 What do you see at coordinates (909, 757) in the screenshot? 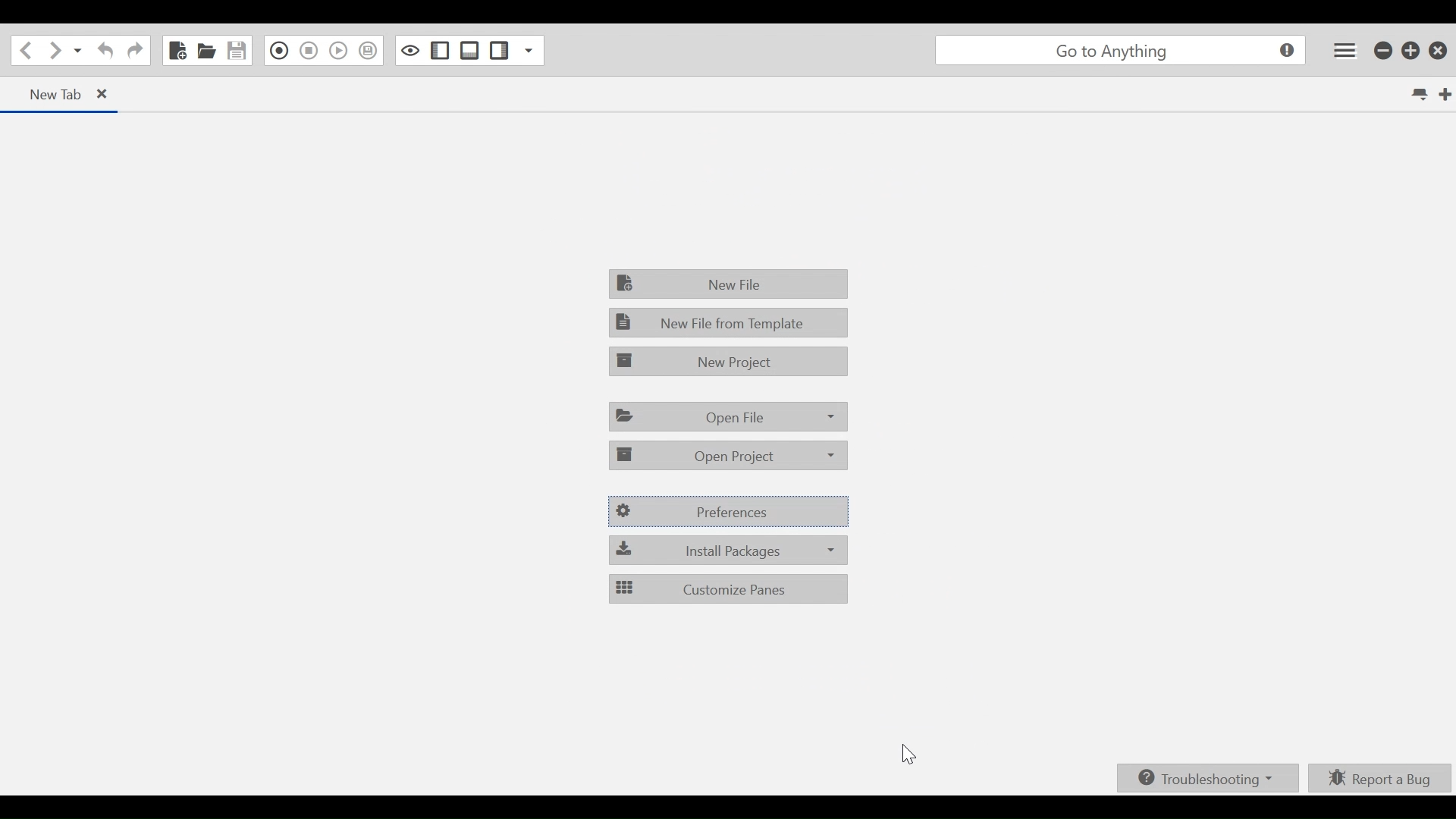
I see `Cursor` at bounding box center [909, 757].